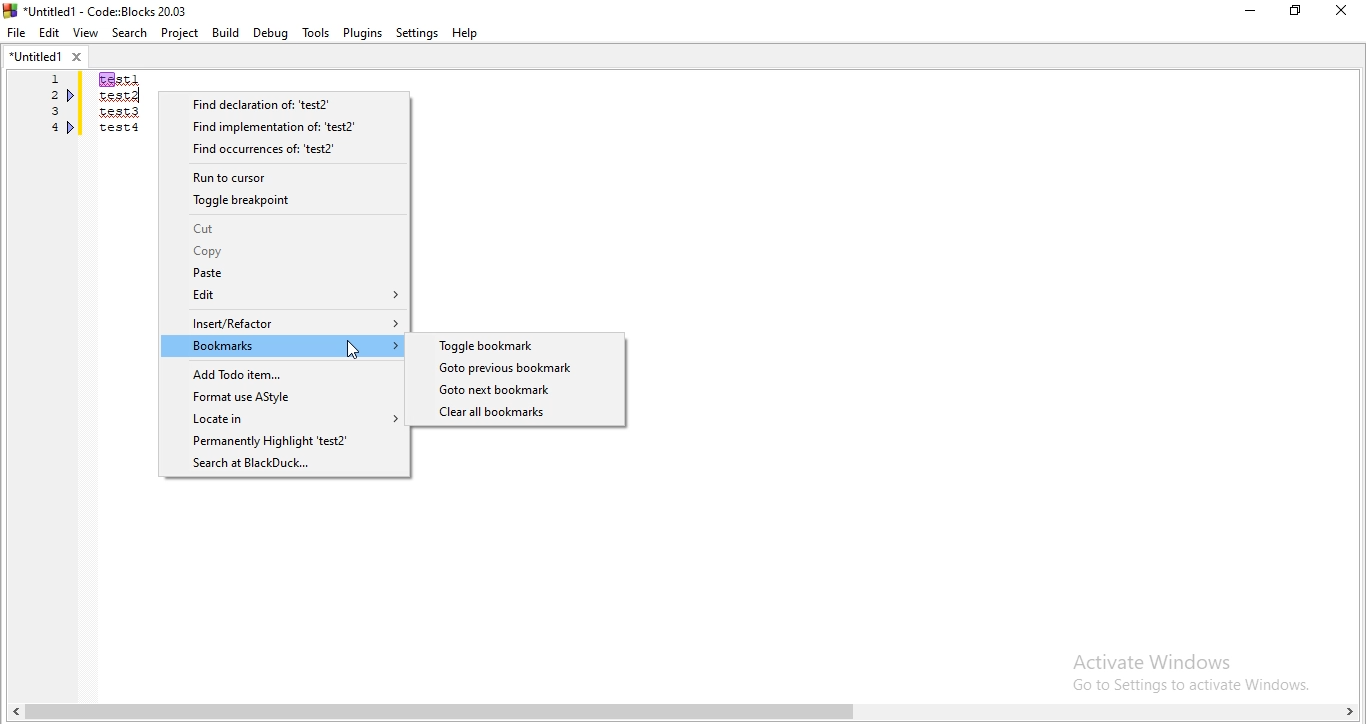 This screenshot has height=724, width=1366. What do you see at coordinates (514, 344) in the screenshot?
I see `Toggle bookmark` at bounding box center [514, 344].